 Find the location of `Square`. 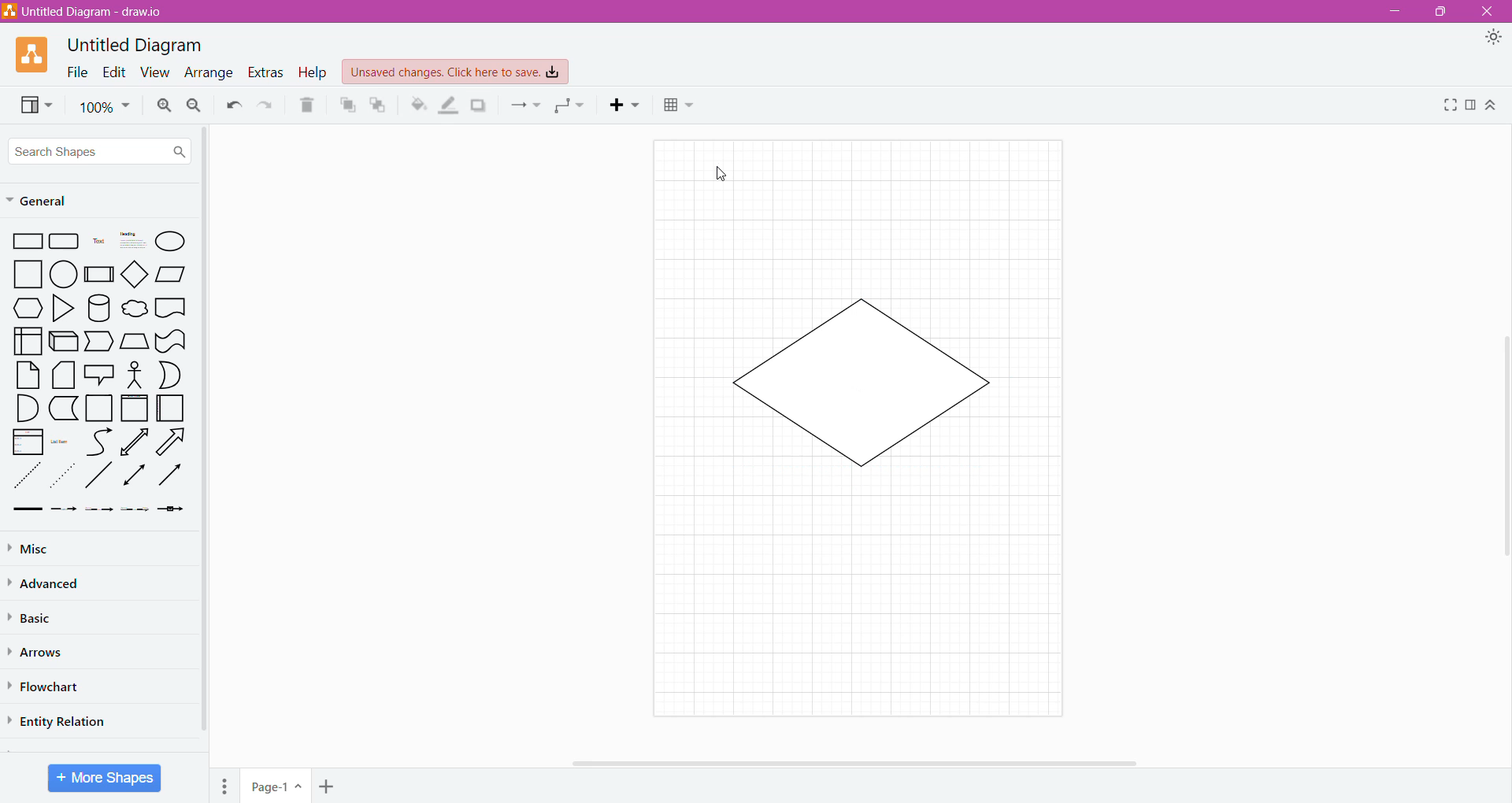

Square is located at coordinates (28, 274).